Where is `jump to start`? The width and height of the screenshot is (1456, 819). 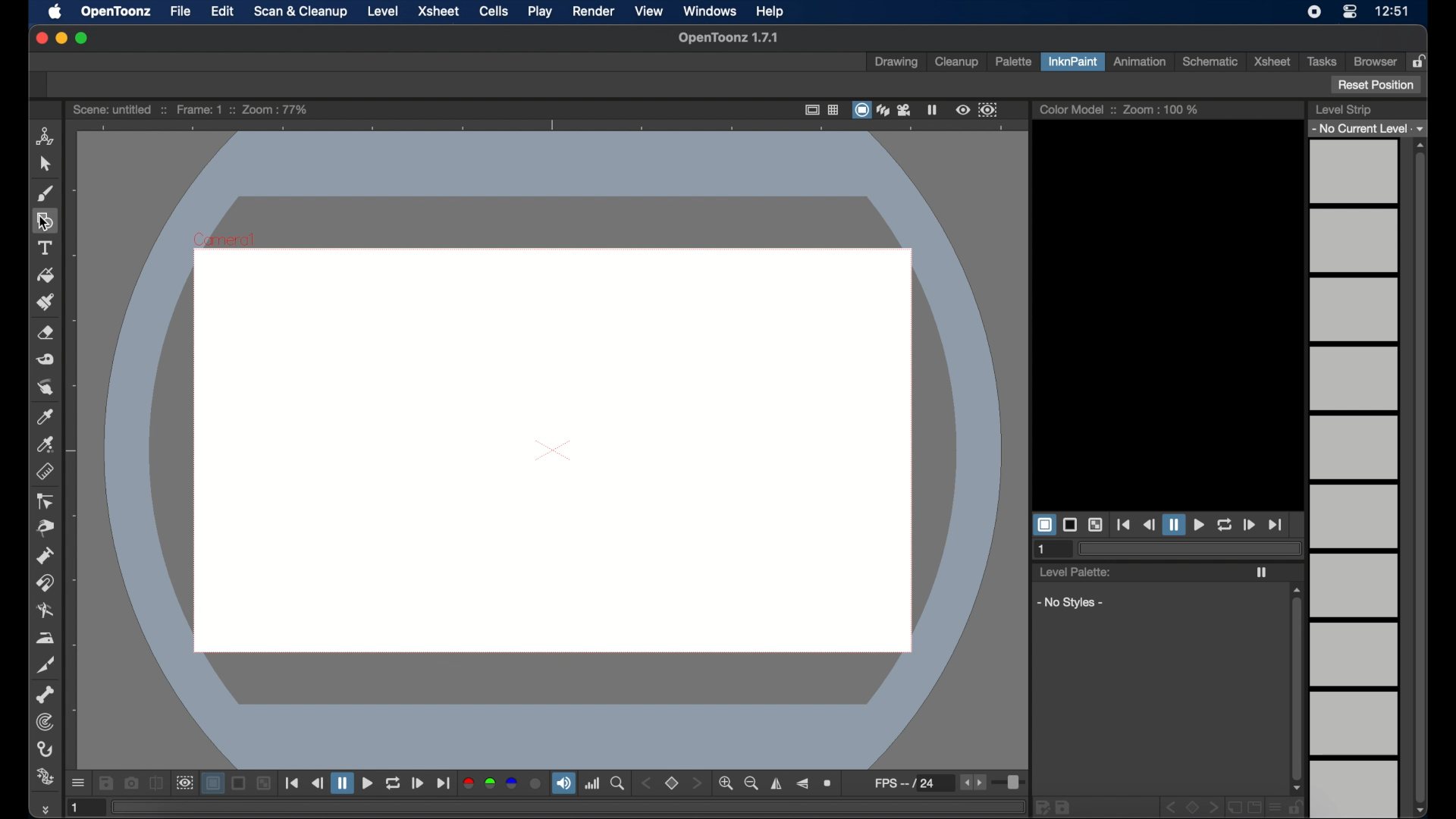 jump to start is located at coordinates (292, 783).